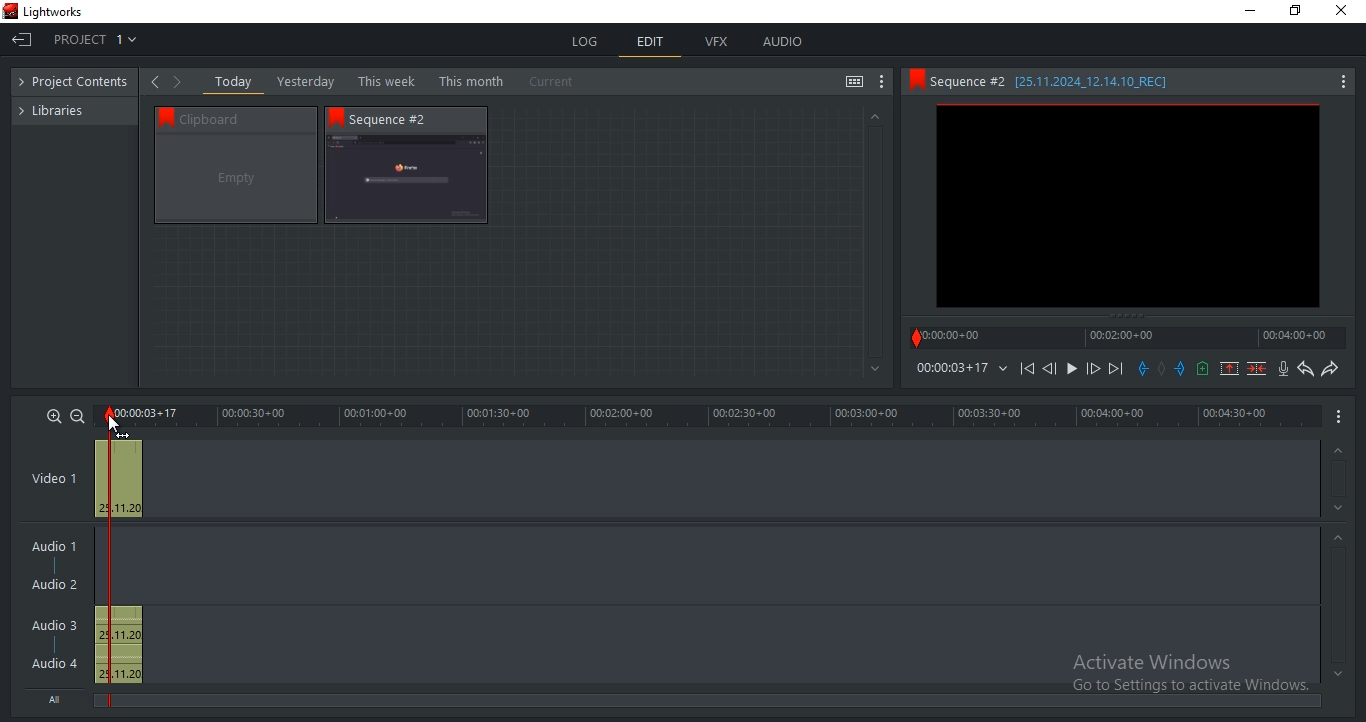 The width and height of the screenshot is (1366, 722). I want to click on Sequence #2, so click(399, 119).